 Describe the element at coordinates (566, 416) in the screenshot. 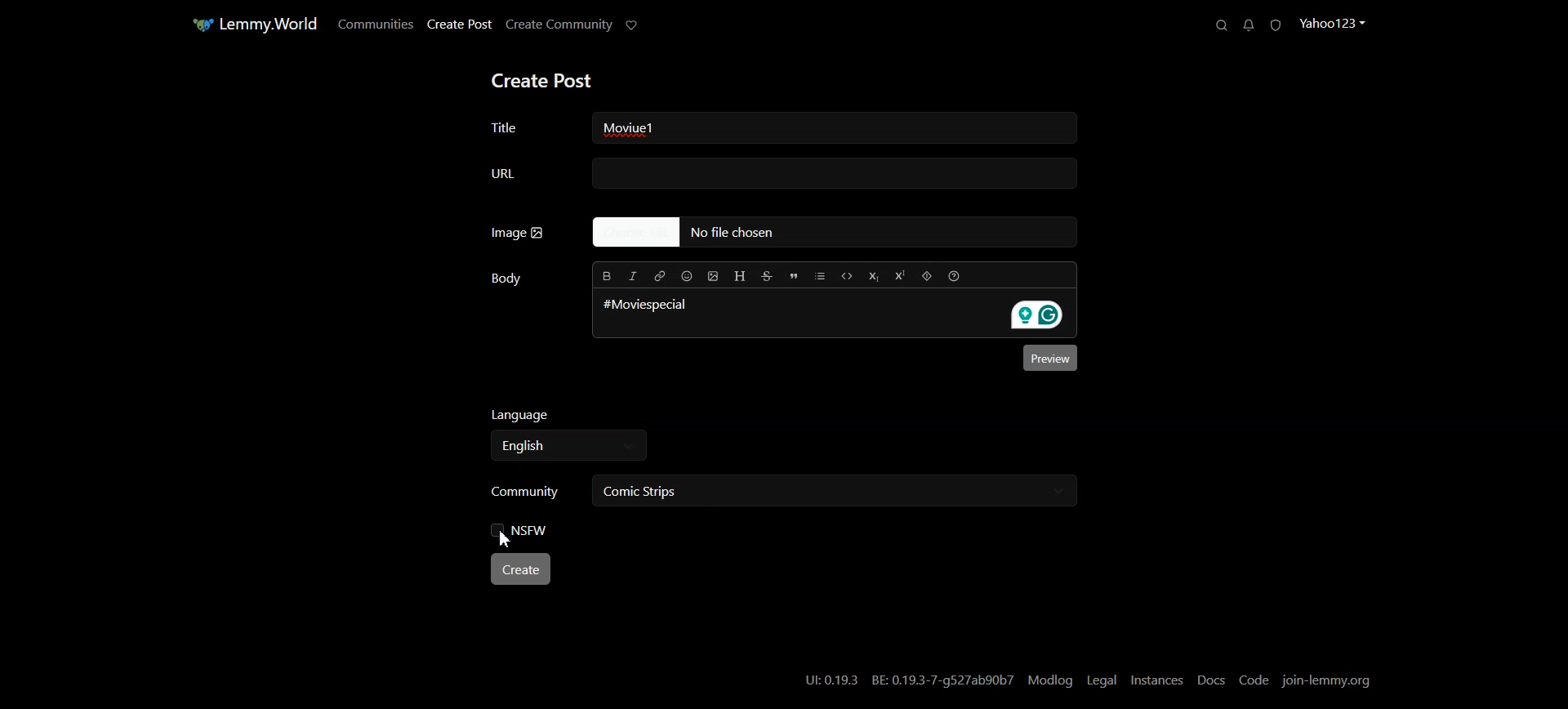

I see `Language` at that location.